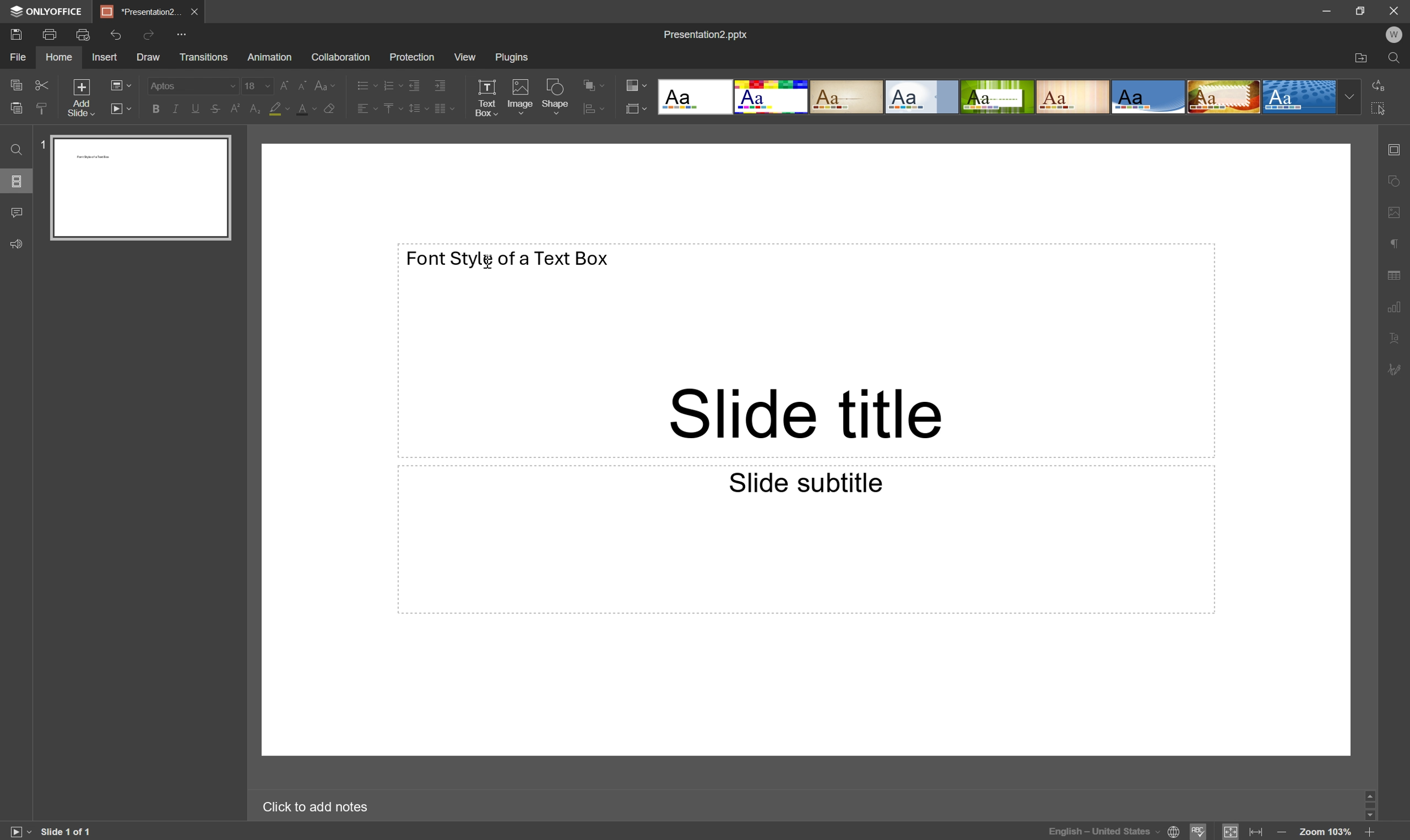  What do you see at coordinates (392, 107) in the screenshot?
I see `Vertical Align` at bounding box center [392, 107].